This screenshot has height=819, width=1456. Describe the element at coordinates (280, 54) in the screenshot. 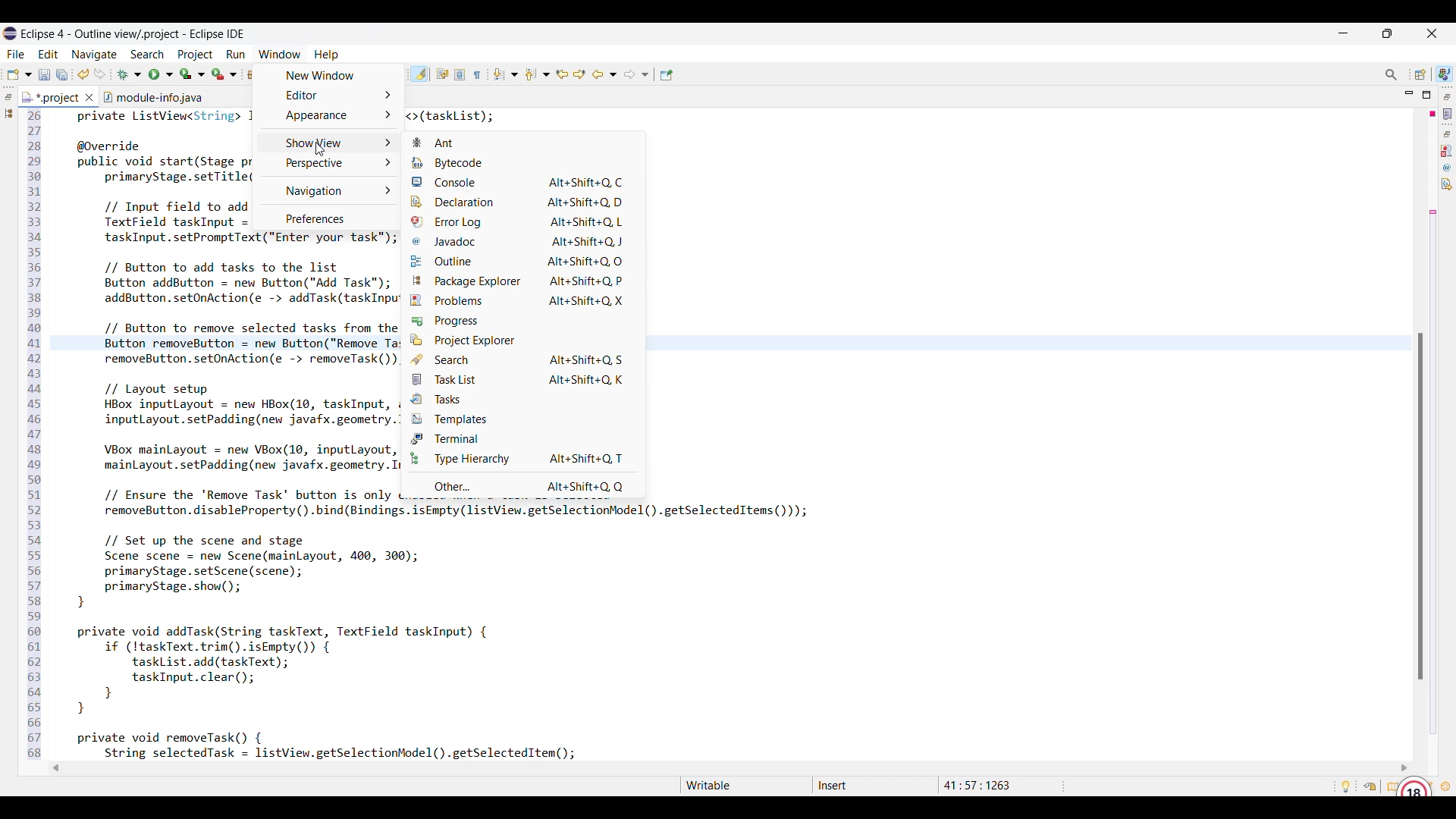

I see `Window menu` at that location.